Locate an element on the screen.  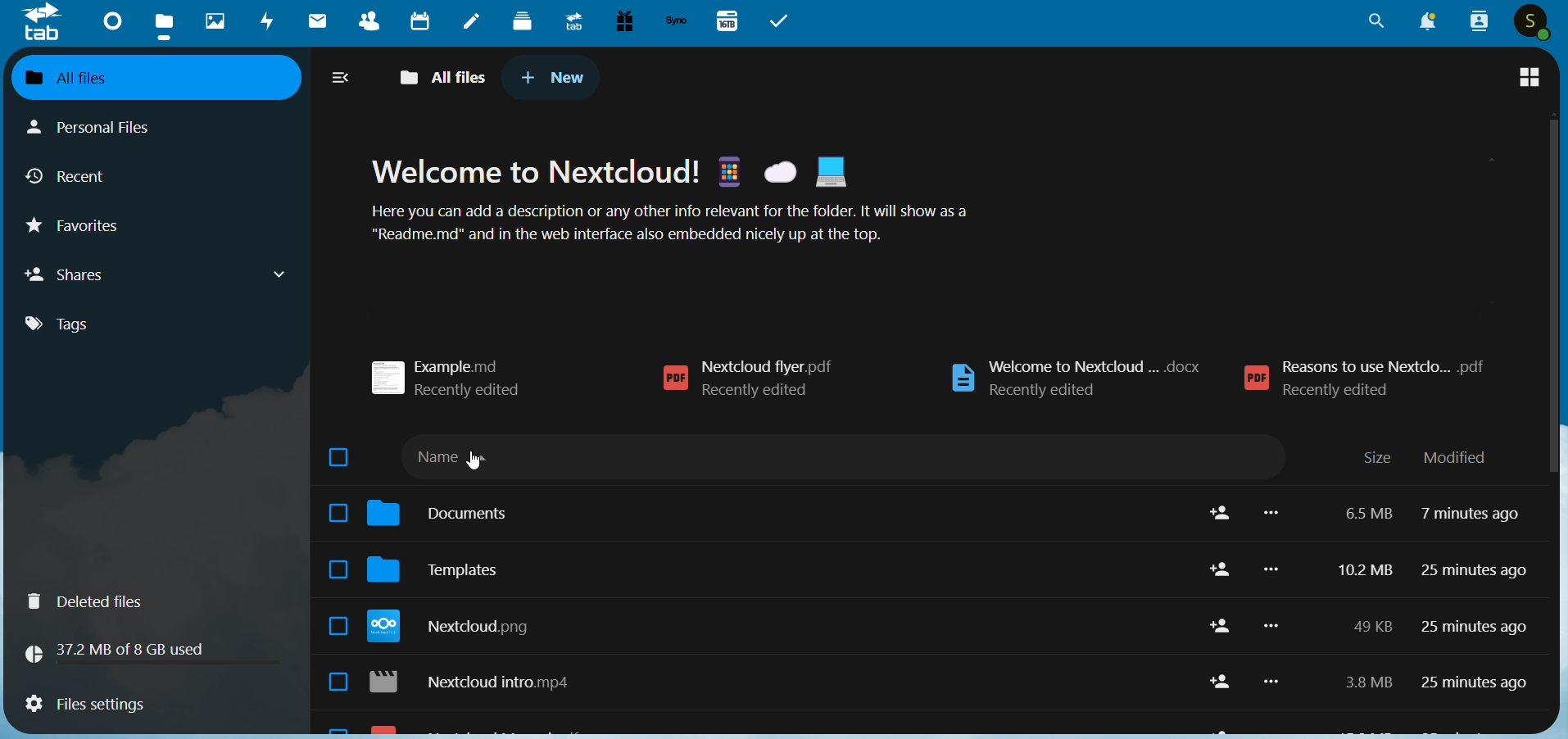
Notification is located at coordinates (1428, 21).